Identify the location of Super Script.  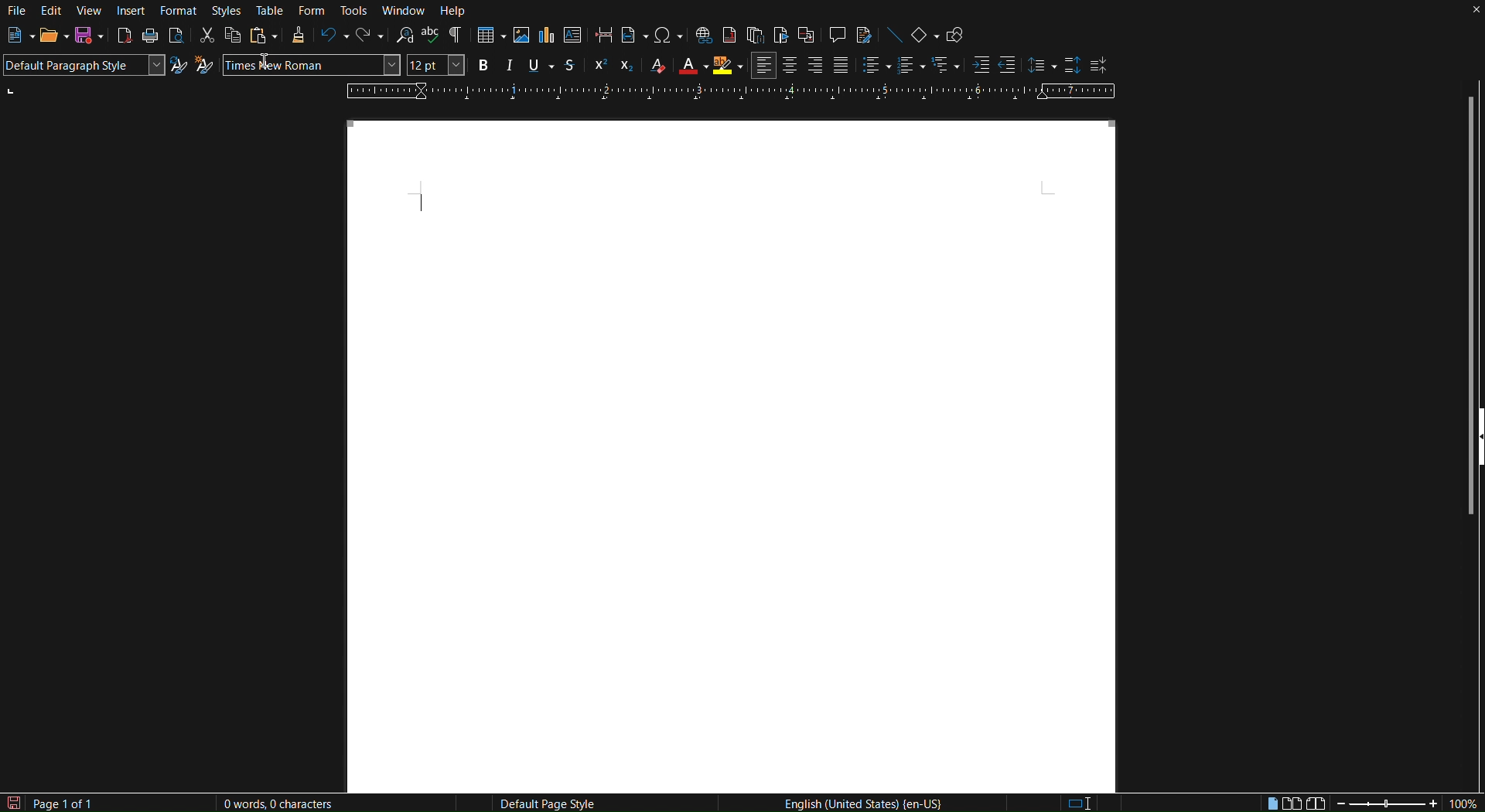
(599, 65).